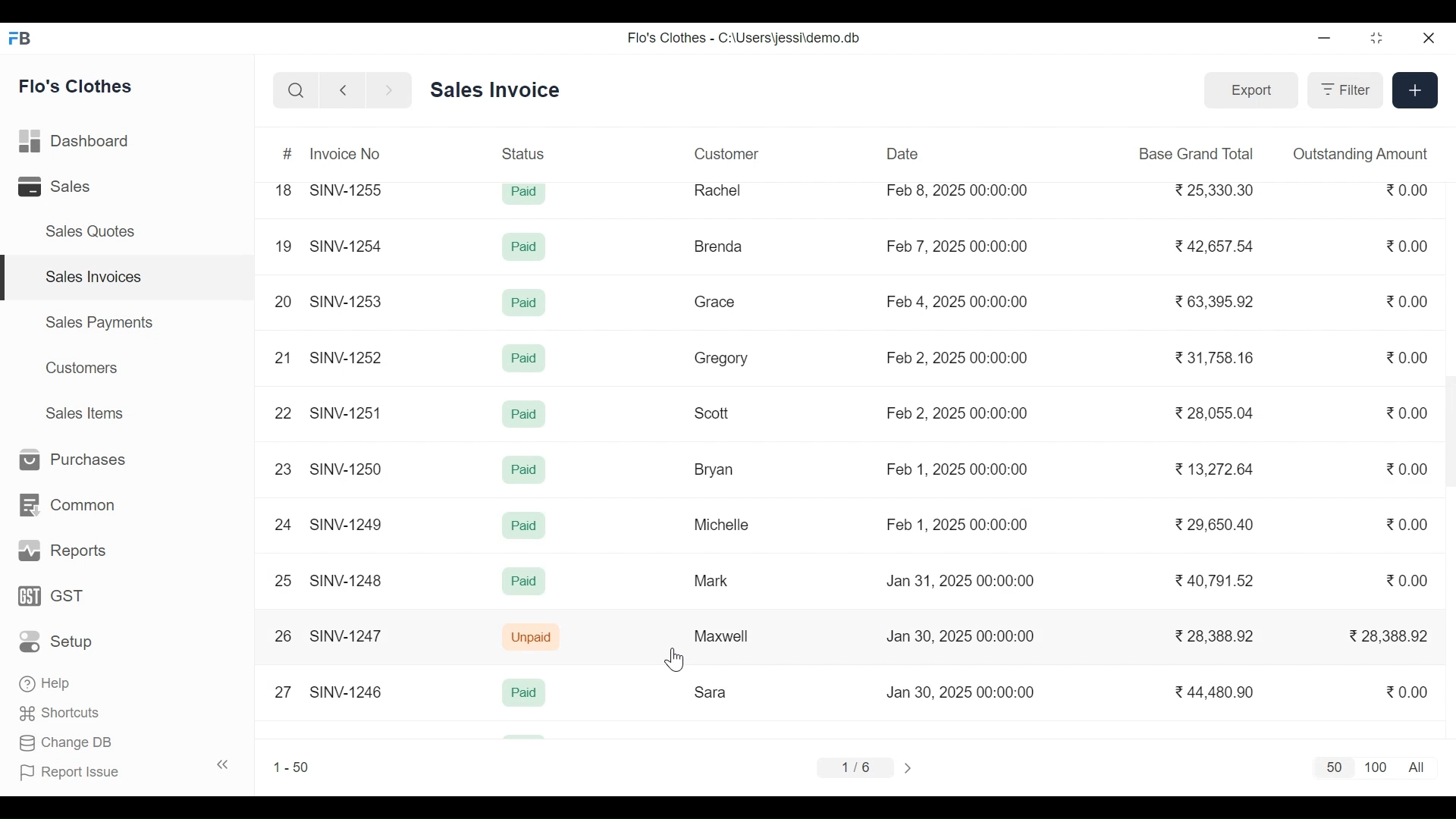 The image size is (1456, 819). I want to click on 0.00, so click(1408, 357).